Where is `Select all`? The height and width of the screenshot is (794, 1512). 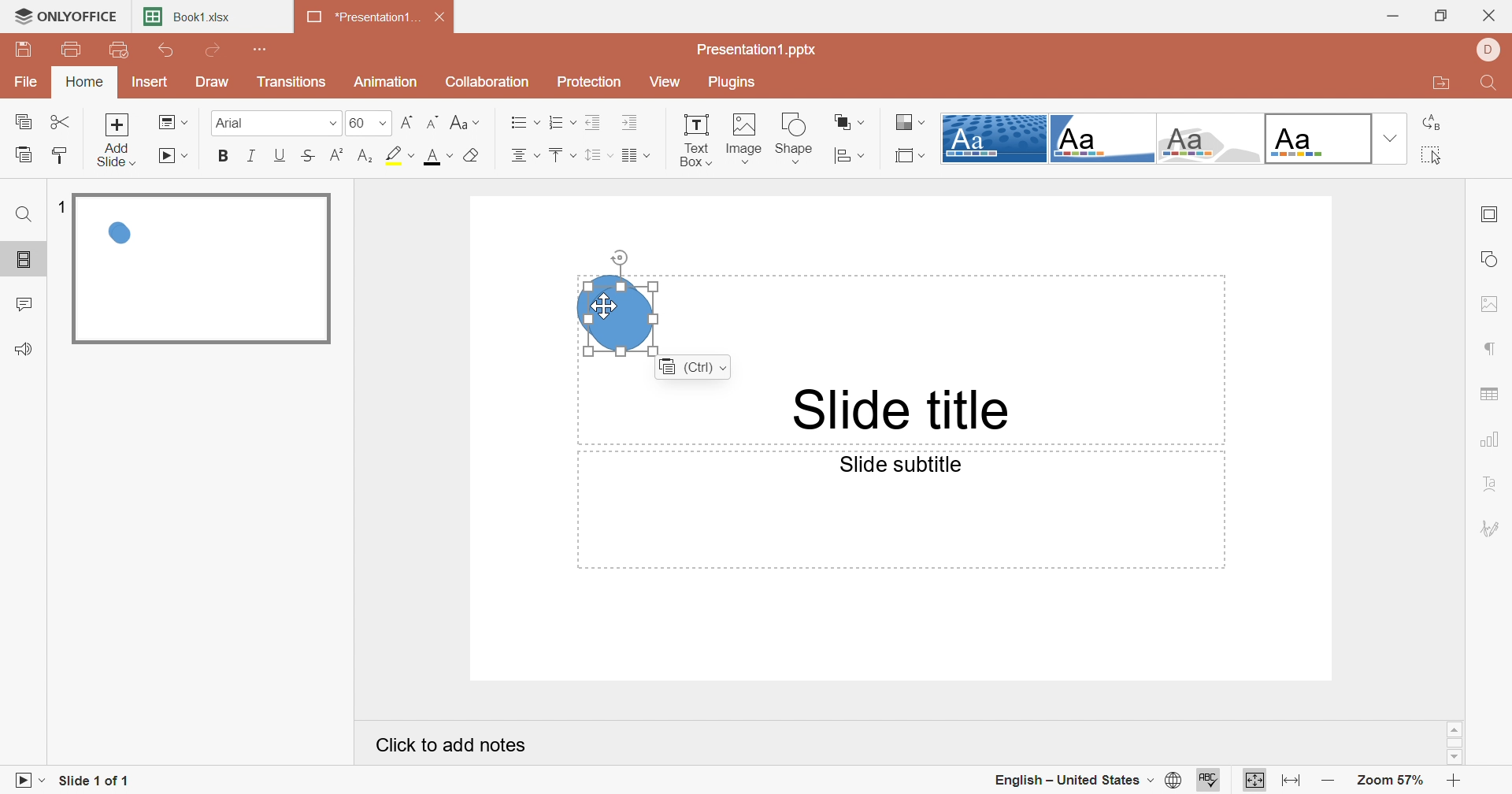 Select all is located at coordinates (1428, 156).